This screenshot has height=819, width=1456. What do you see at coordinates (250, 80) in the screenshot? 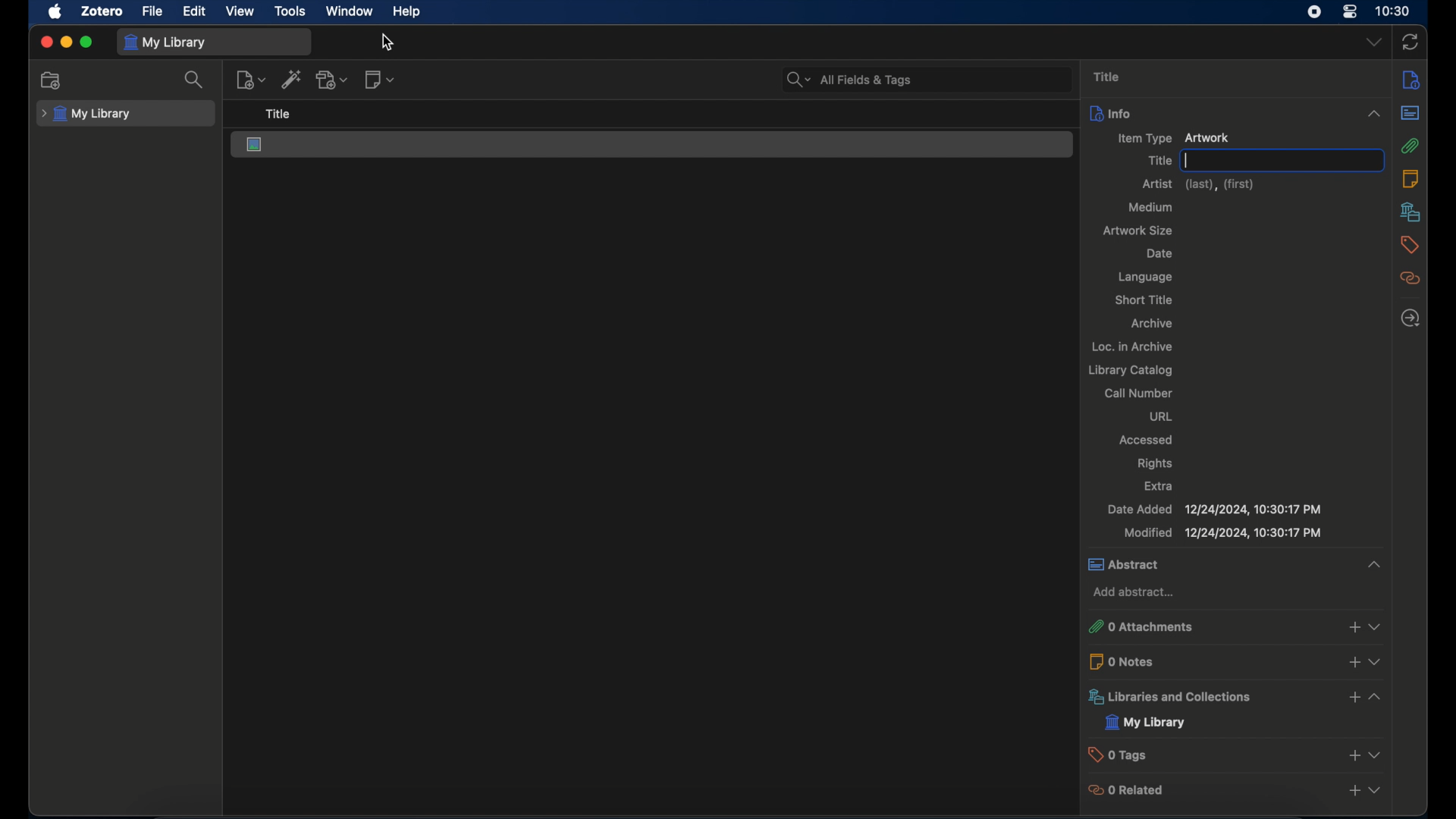
I see `new item` at bounding box center [250, 80].